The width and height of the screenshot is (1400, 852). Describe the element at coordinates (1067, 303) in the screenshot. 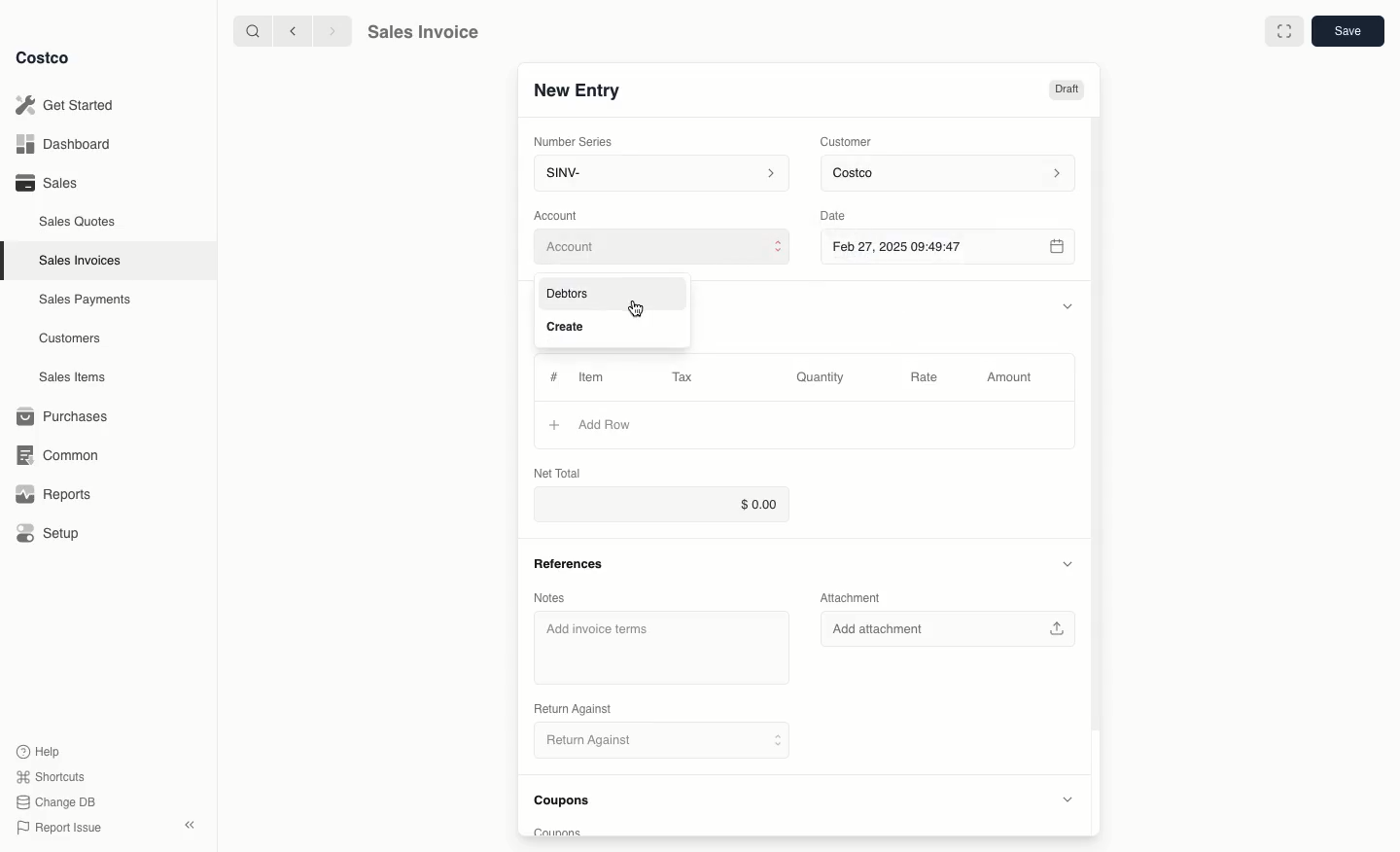

I see `Hide` at that location.